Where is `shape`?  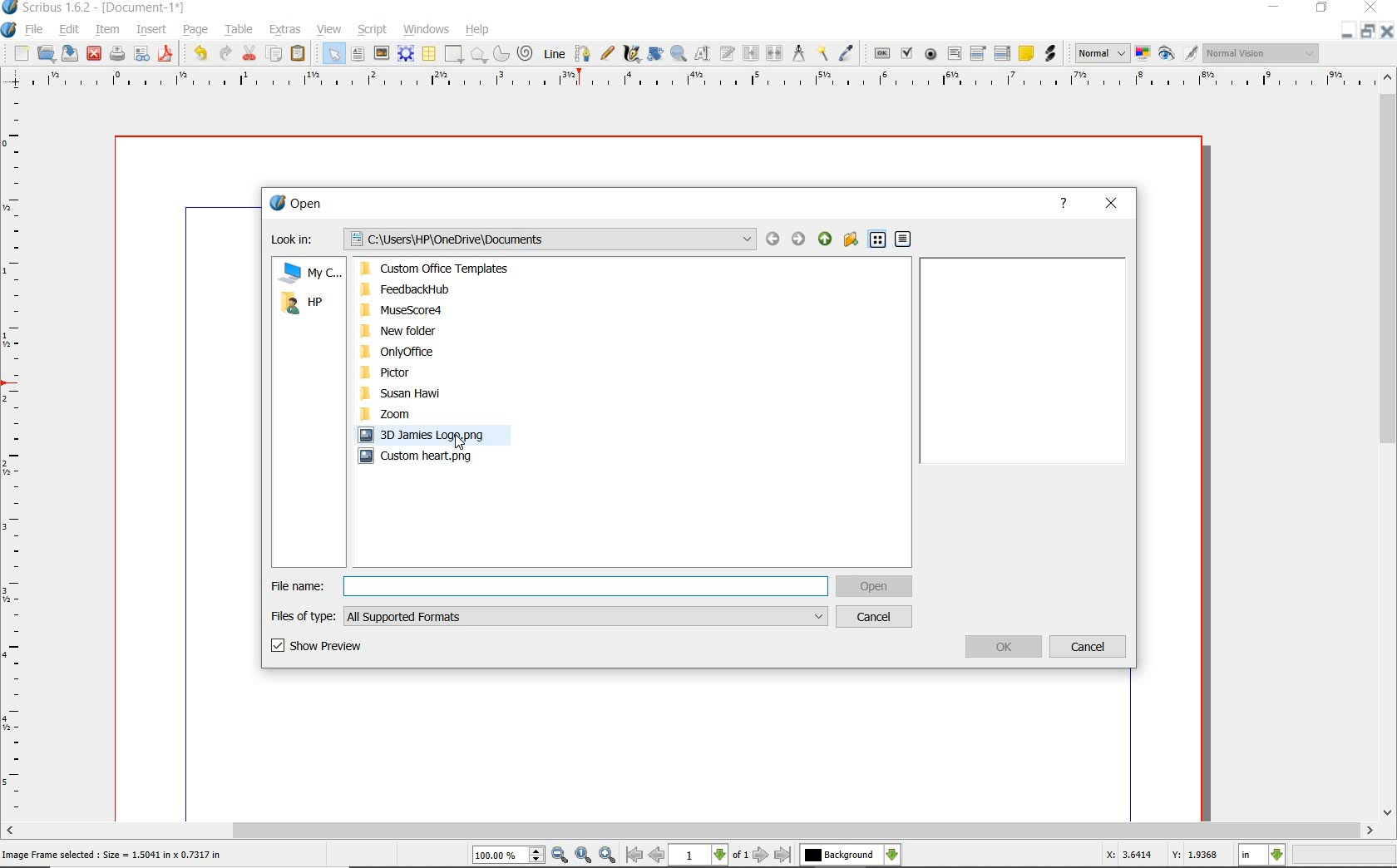
shape is located at coordinates (479, 56).